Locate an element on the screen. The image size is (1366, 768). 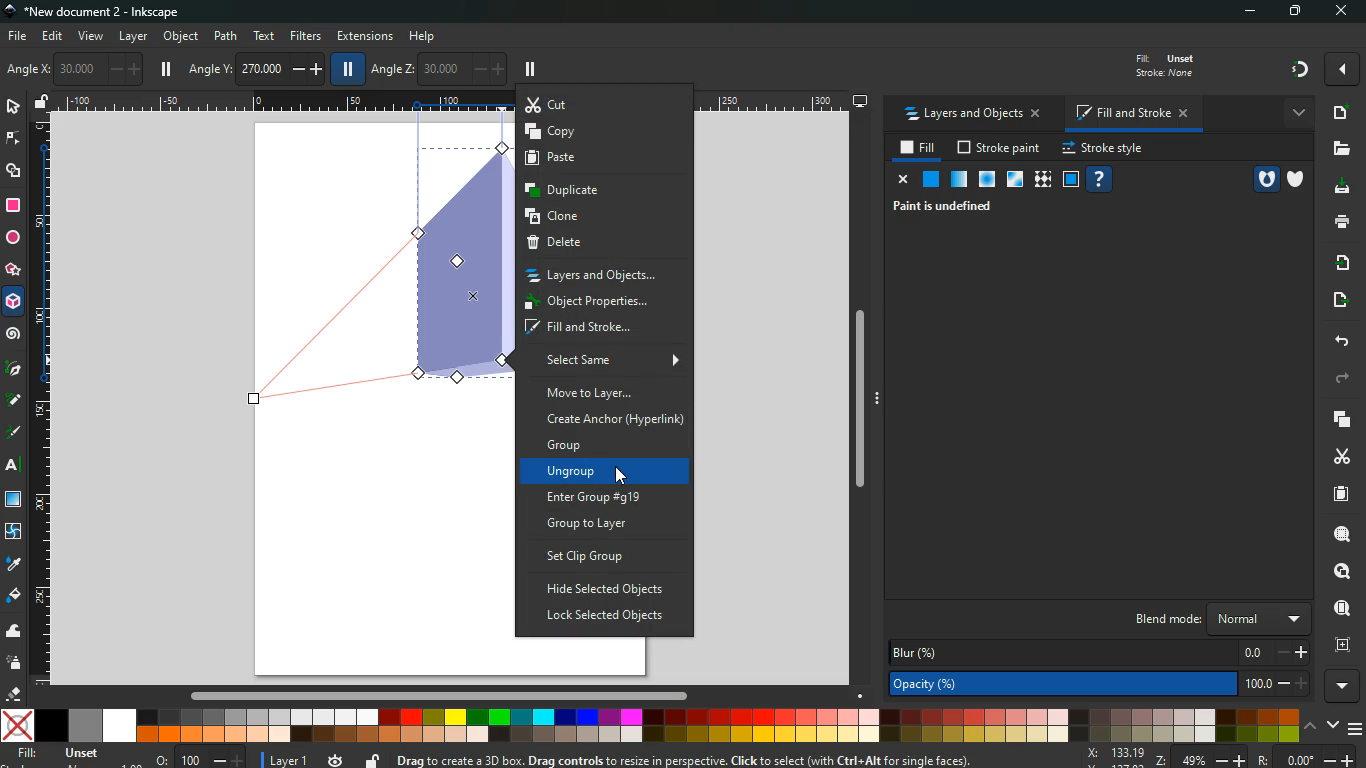
menu is located at coordinates (1357, 729).